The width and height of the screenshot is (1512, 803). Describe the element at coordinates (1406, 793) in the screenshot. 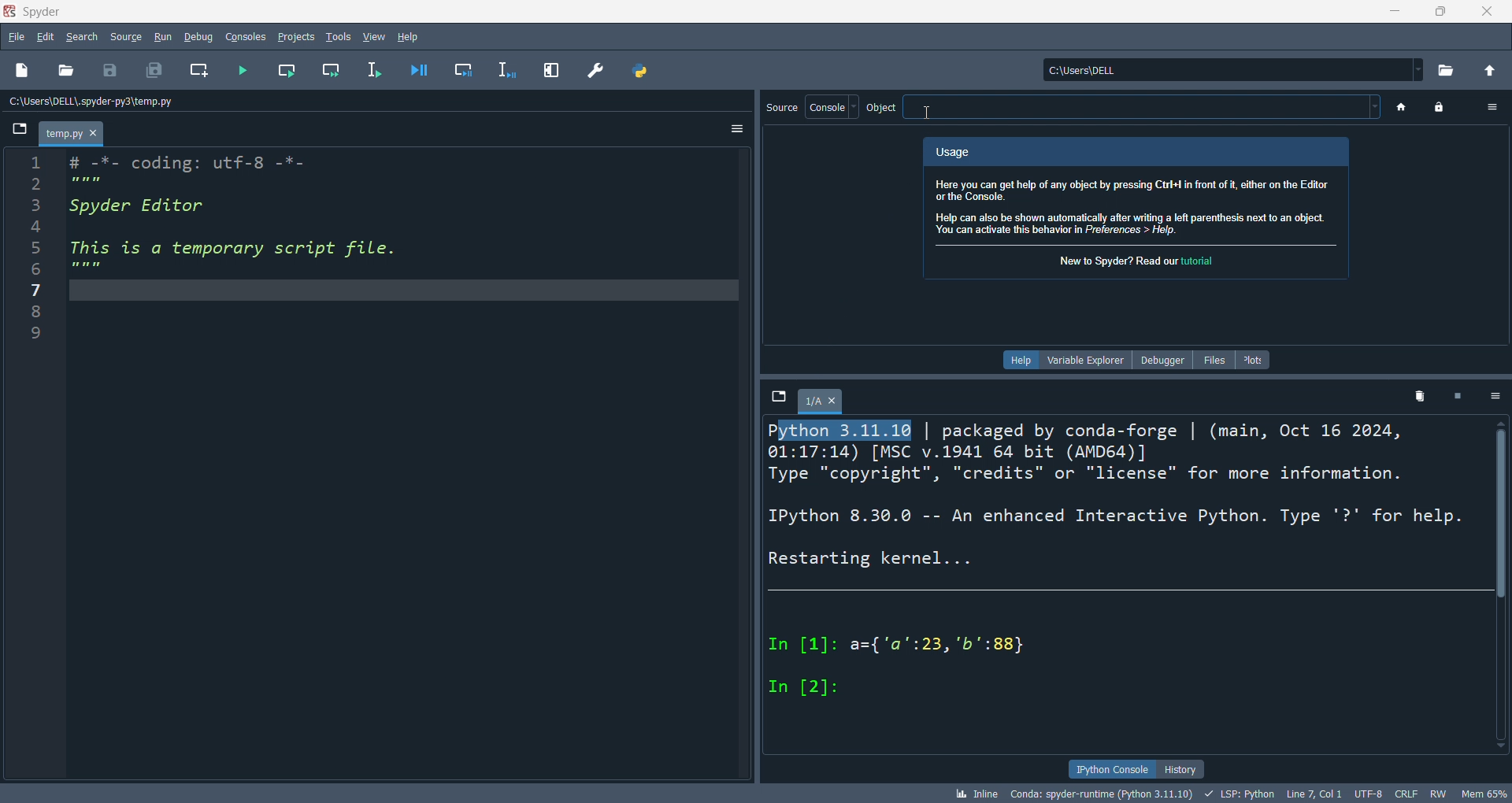

I see `CRLF` at that location.